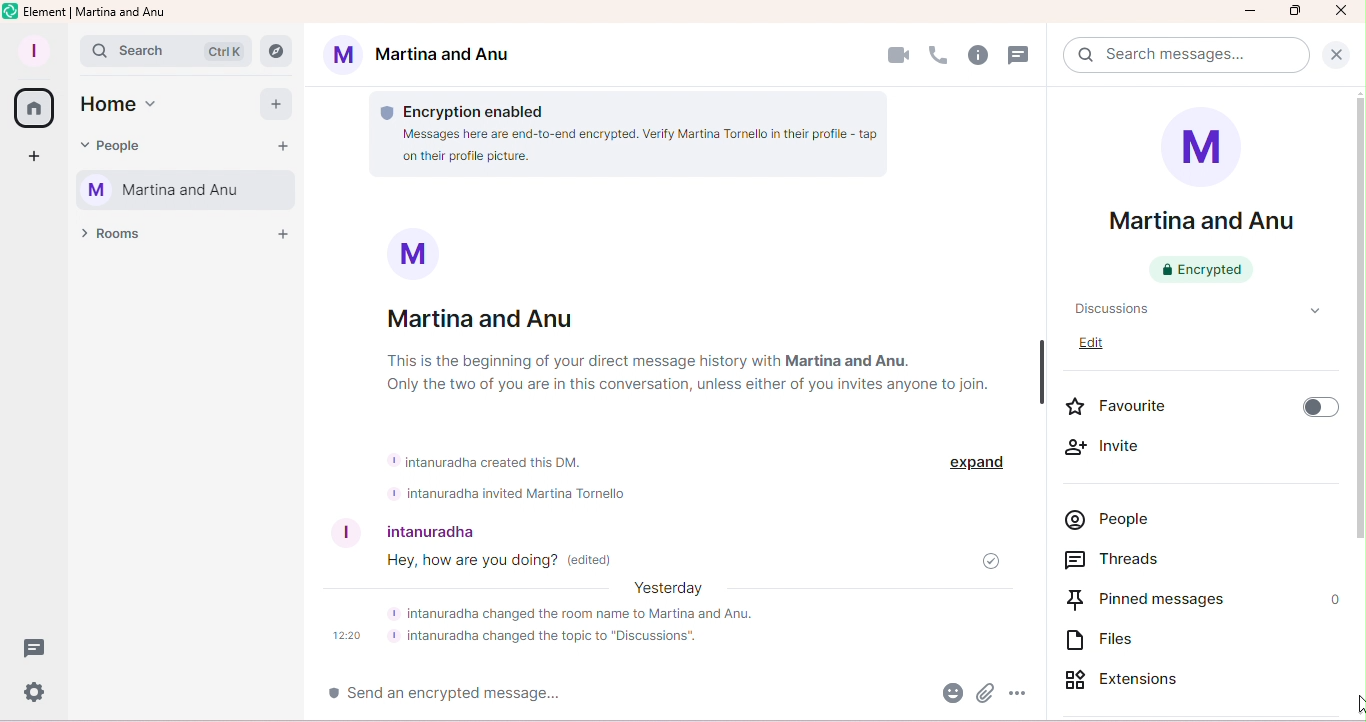  Describe the element at coordinates (425, 57) in the screenshot. I see `Martina and Anu` at that location.